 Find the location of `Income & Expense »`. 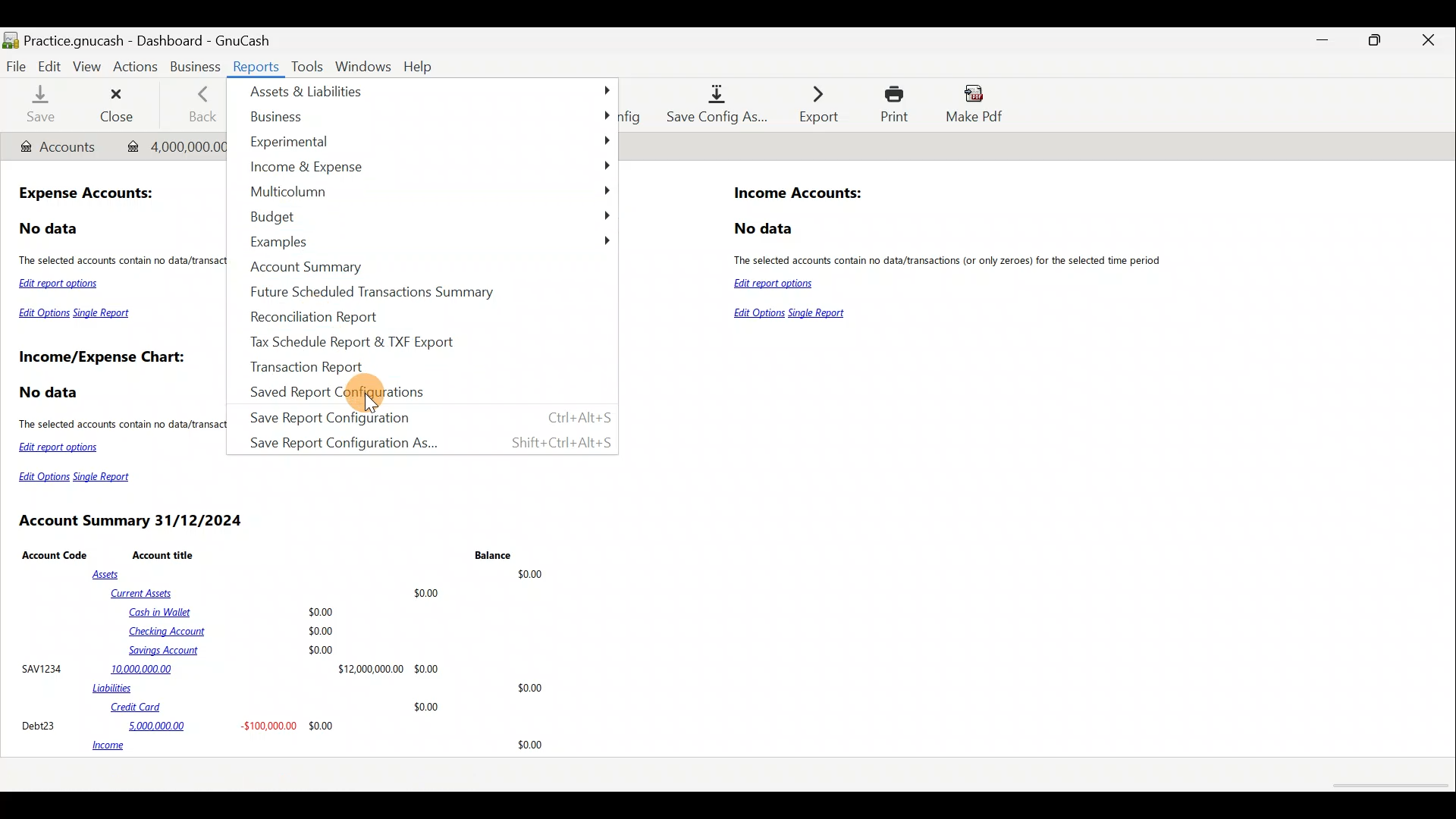

Income & Expense » is located at coordinates (432, 166).